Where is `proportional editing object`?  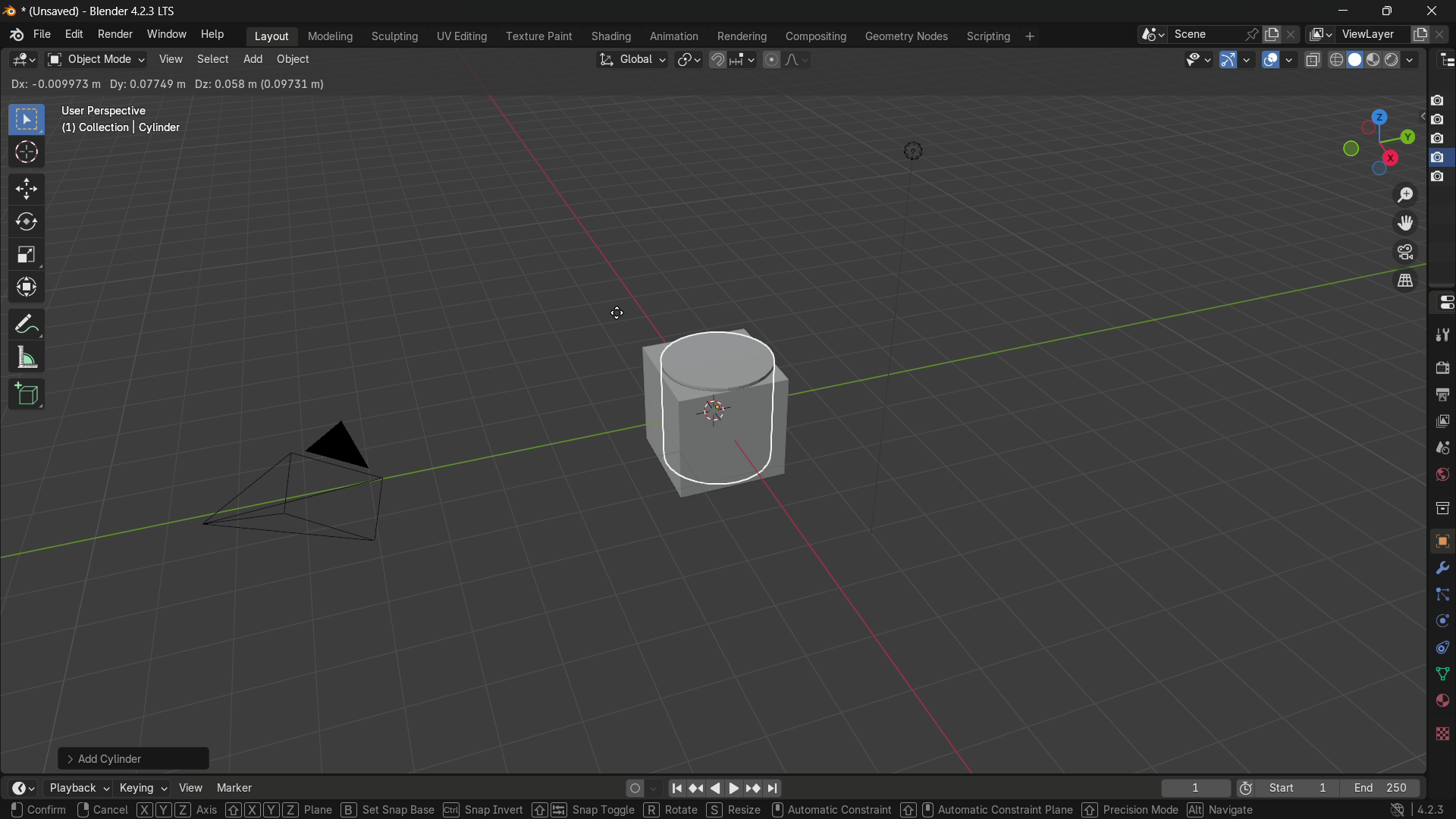
proportional editing object is located at coordinates (771, 60).